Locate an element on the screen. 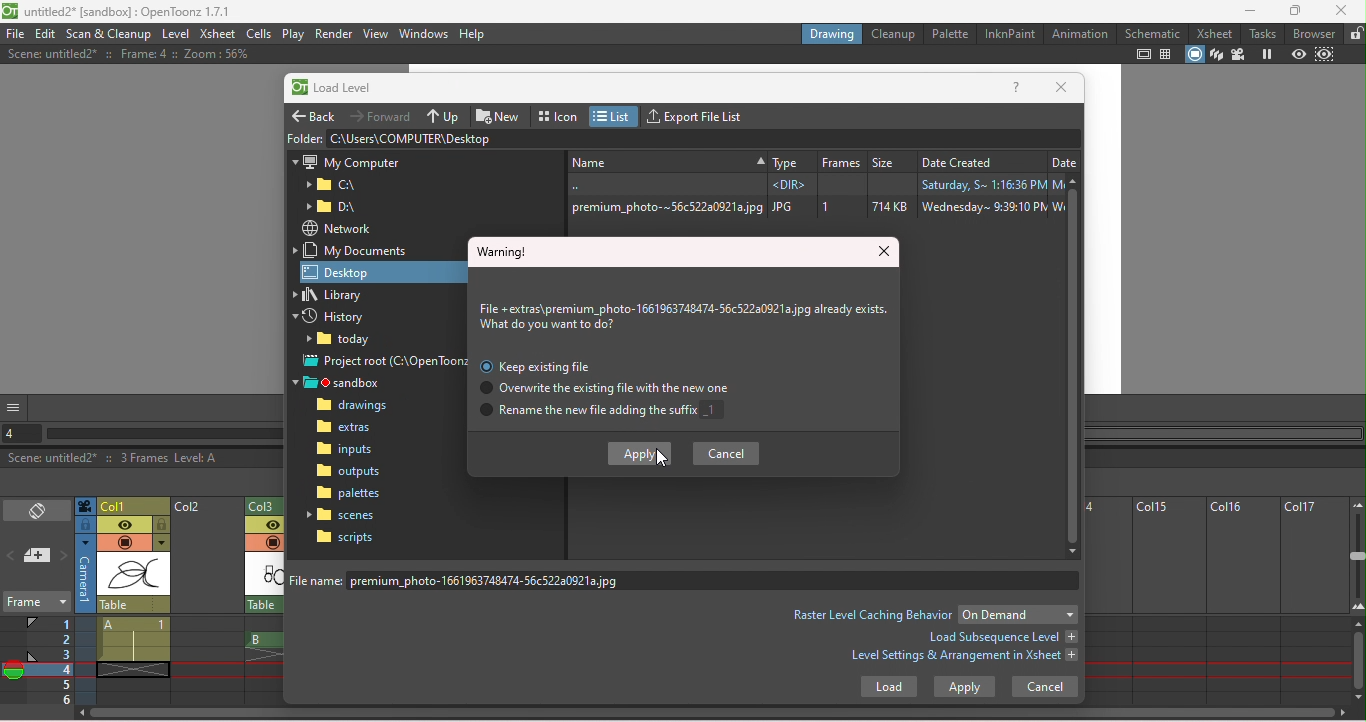 This screenshot has height=722, width=1366. Camera stand view is located at coordinates (1196, 55).